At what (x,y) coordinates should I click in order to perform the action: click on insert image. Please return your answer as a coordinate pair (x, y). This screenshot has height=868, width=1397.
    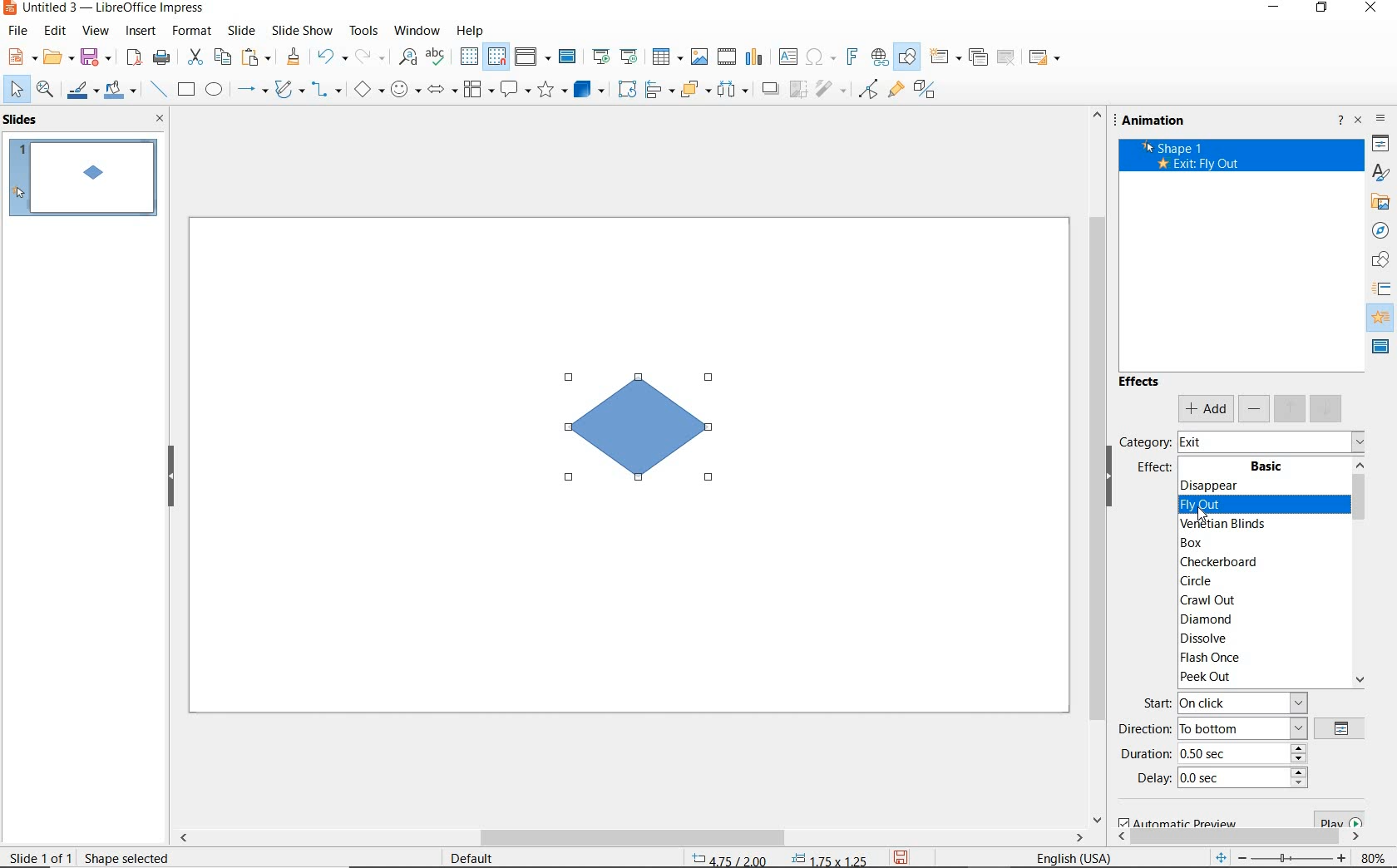
    Looking at the image, I should click on (702, 57).